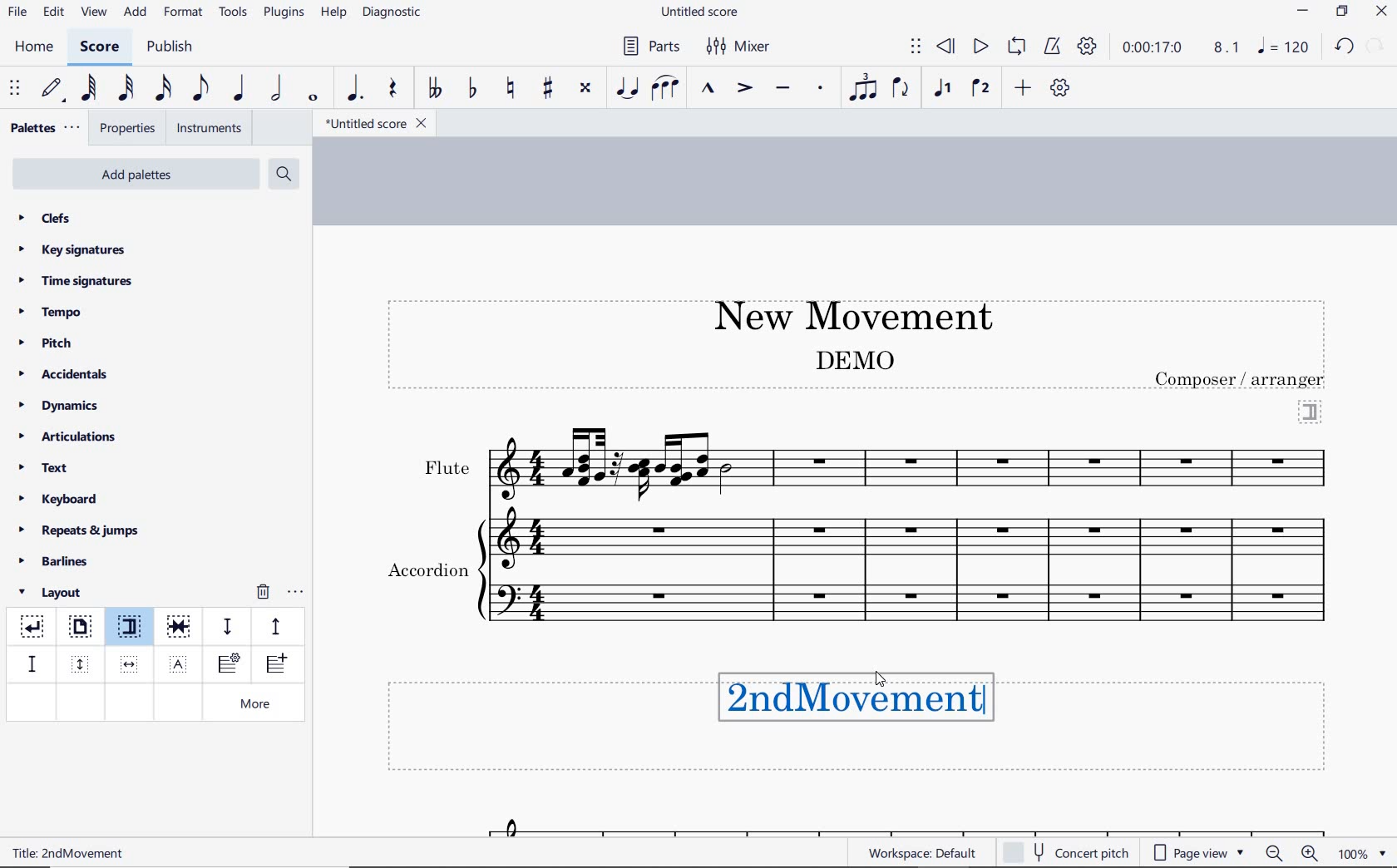  I want to click on workspace: default, so click(920, 852).